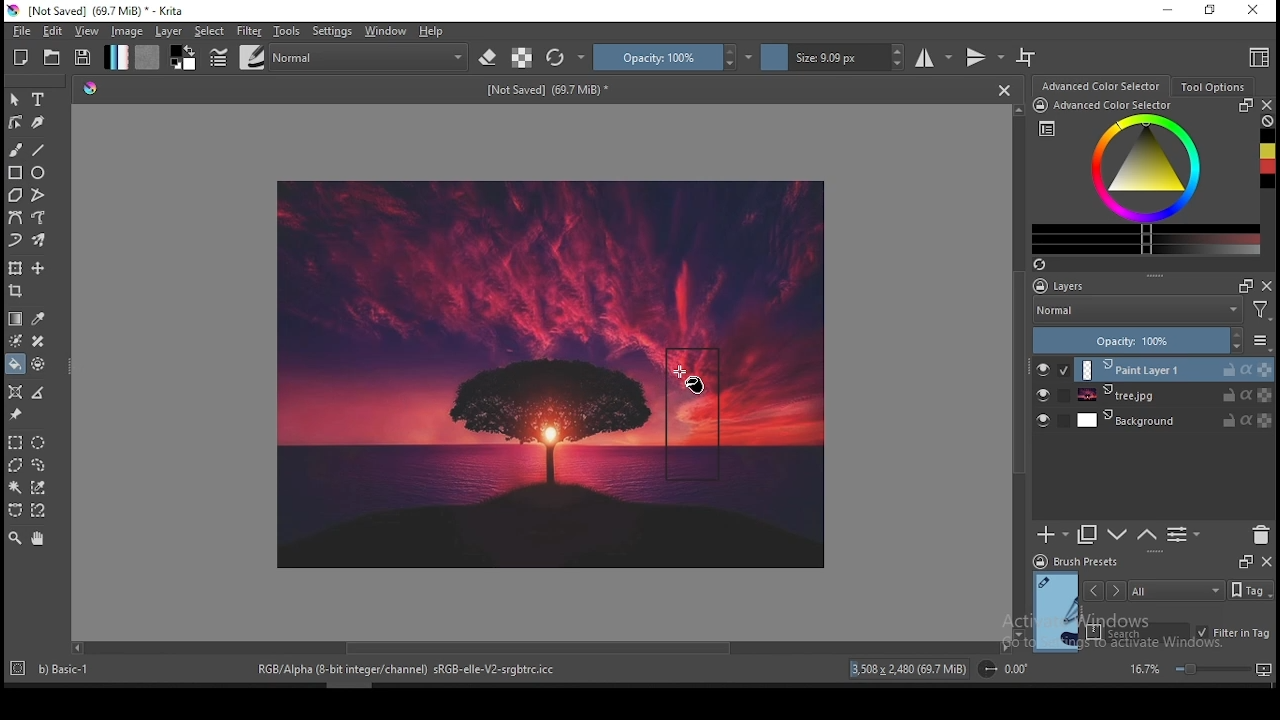  What do you see at coordinates (38, 194) in the screenshot?
I see `polyline tool` at bounding box center [38, 194].